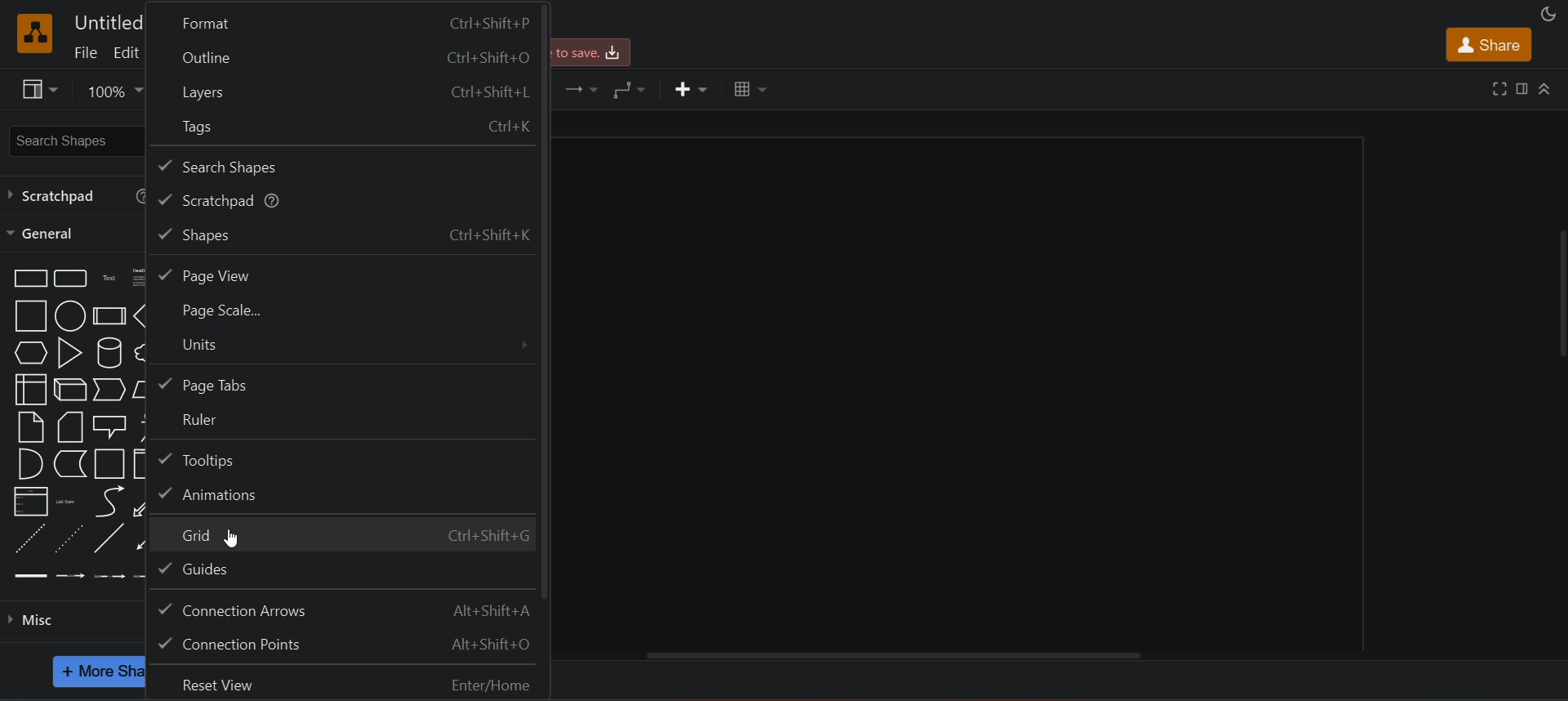  What do you see at coordinates (346, 130) in the screenshot?
I see `tags` at bounding box center [346, 130].